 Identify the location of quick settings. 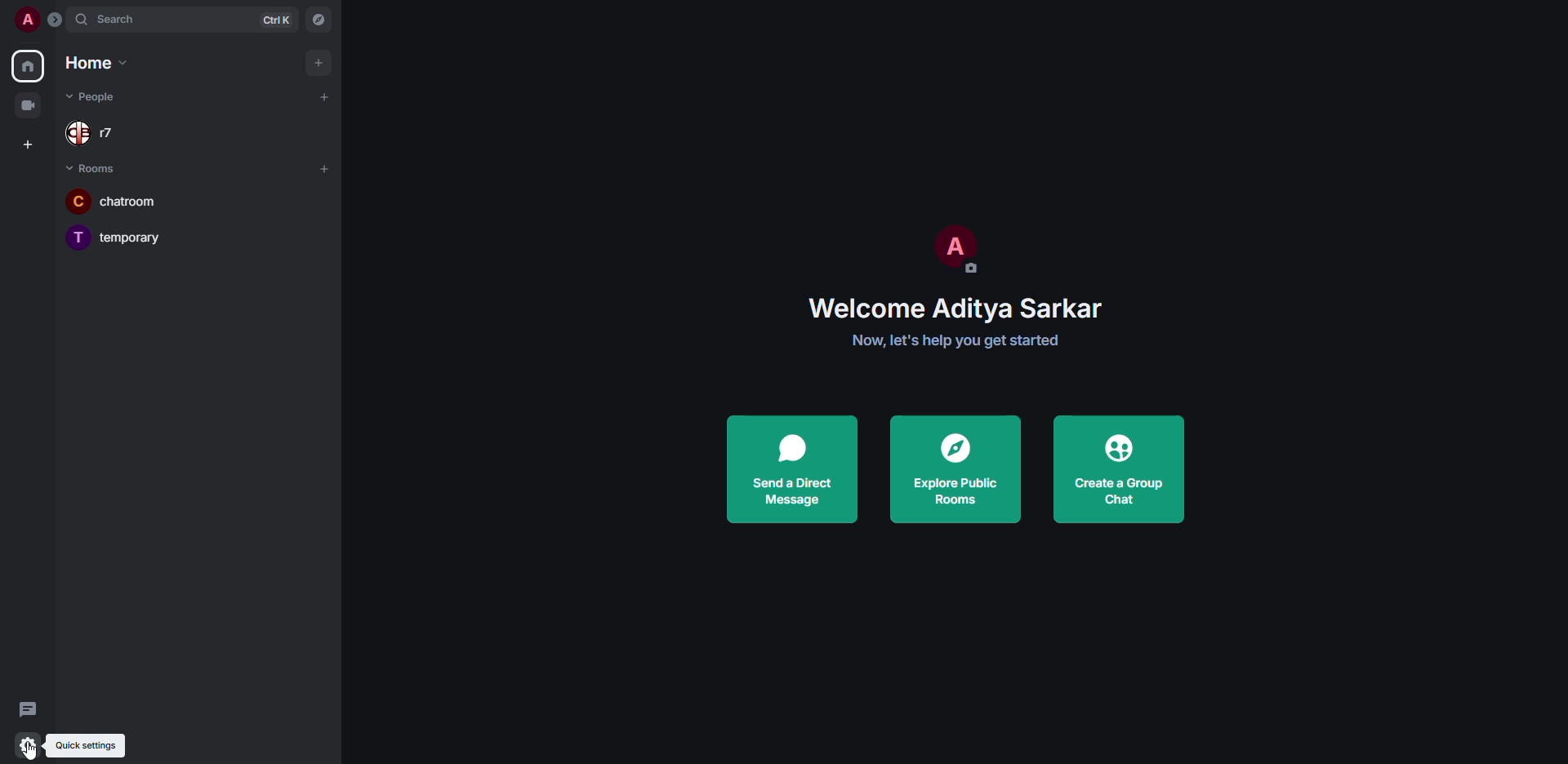
(25, 744).